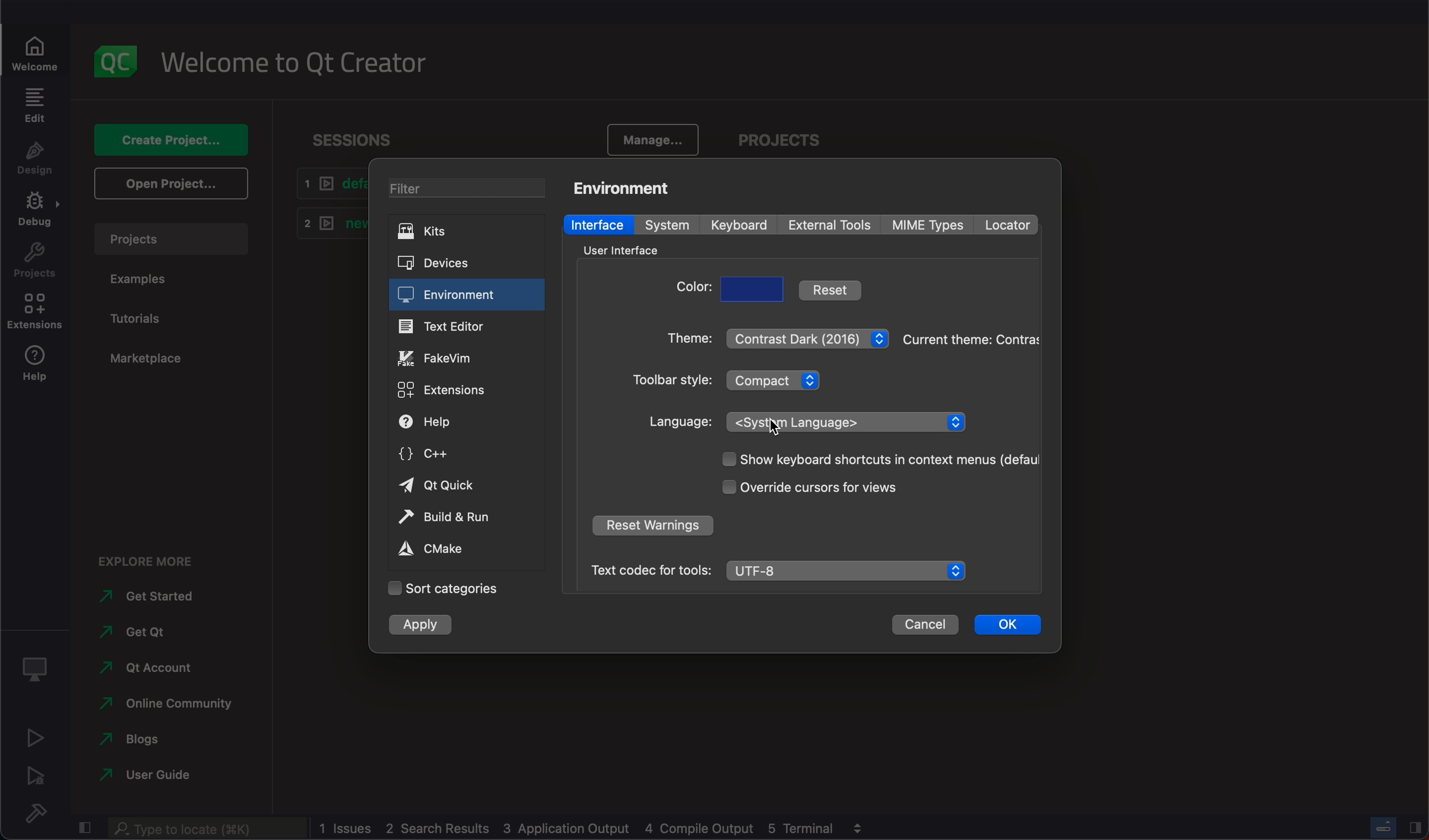 The width and height of the screenshot is (1429, 840). What do you see at coordinates (36, 366) in the screenshot?
I see `help` at bounding box center [36, 366].